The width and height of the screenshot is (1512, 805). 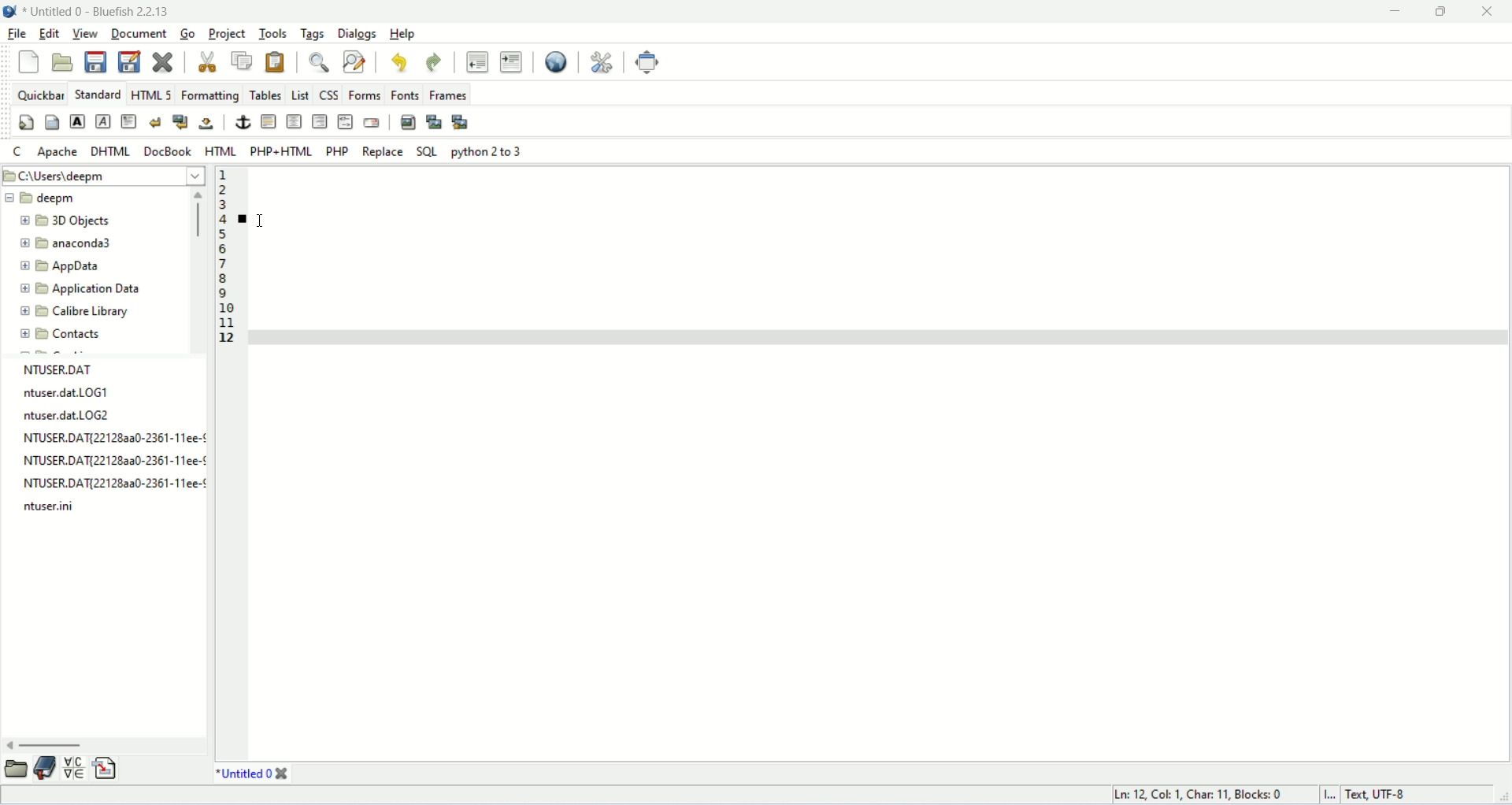 What do you see at coordinates (156, 123) in the screenshot?
I see `break` at bounding box center [156, 123].